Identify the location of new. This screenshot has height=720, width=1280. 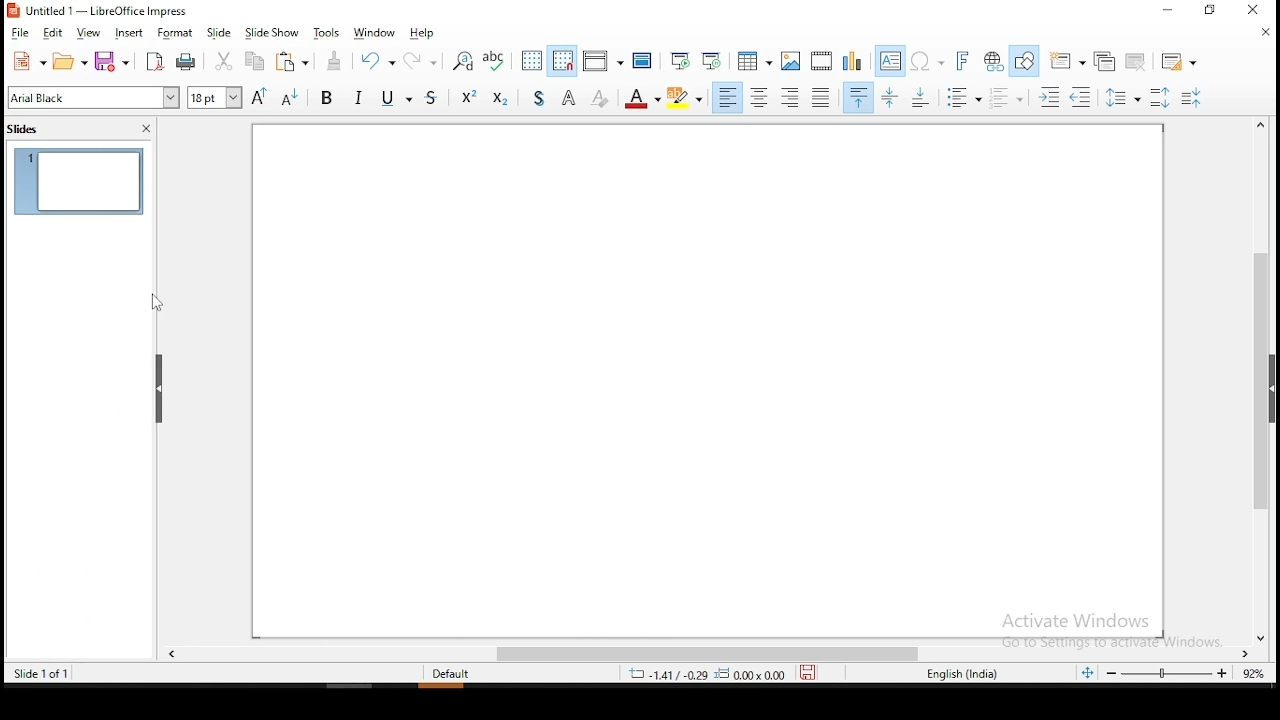
(28, 61).